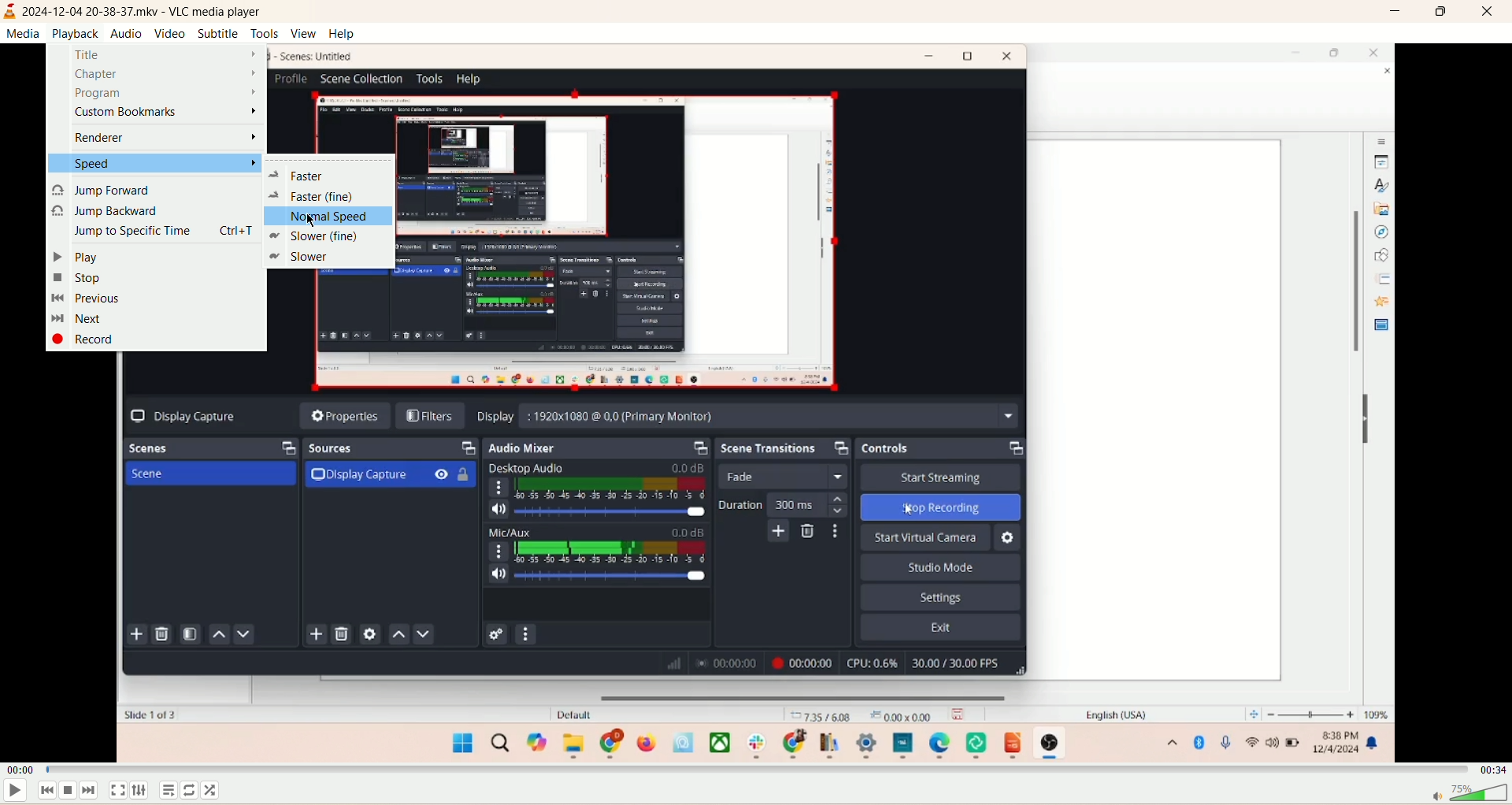  What do you see at coordinates (1442, 14) in the screenshot?
I see `maximize` at bounding box center [1442, 14].